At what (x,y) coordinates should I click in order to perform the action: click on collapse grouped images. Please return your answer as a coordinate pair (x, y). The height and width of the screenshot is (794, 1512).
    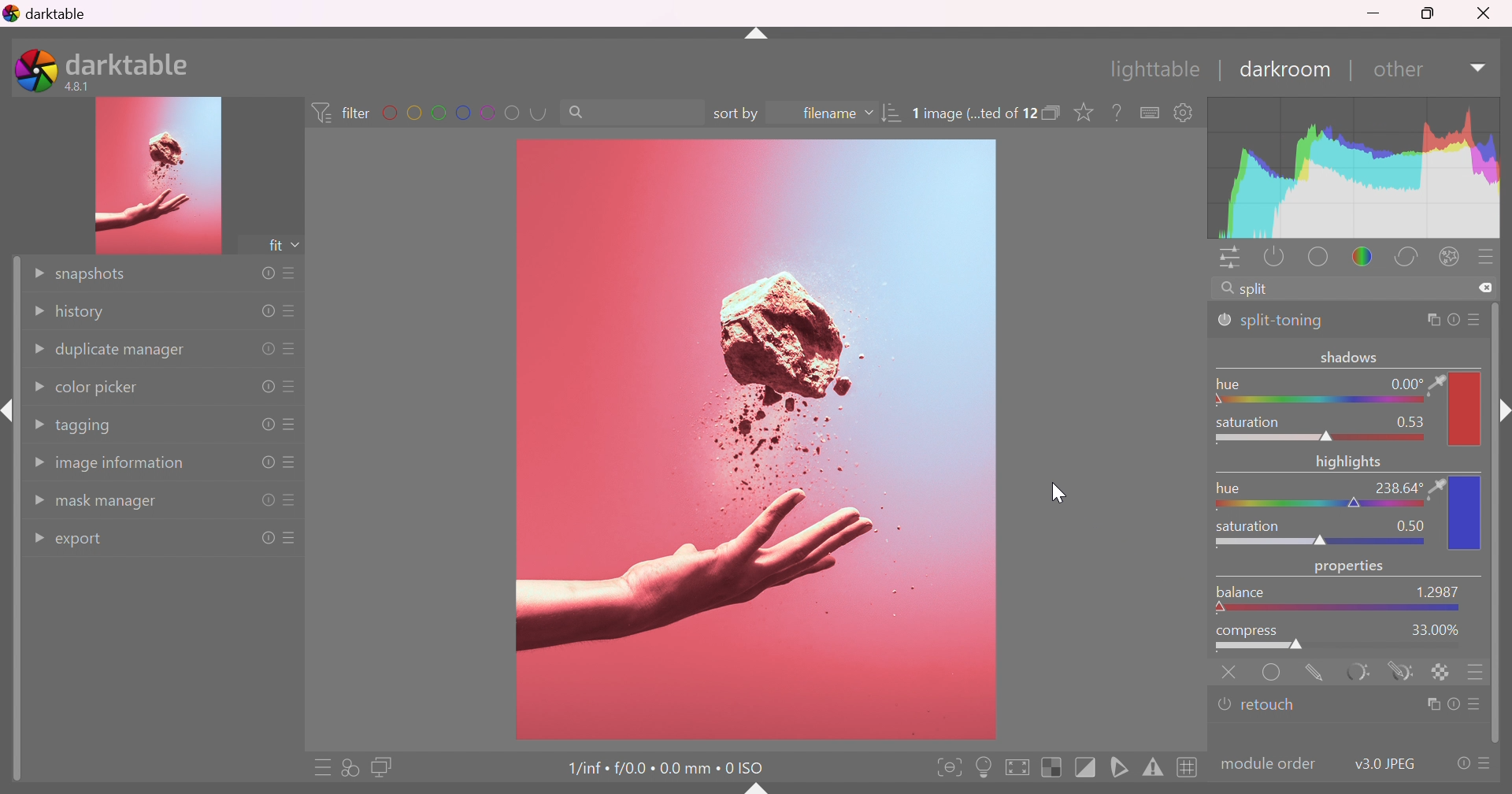
    Looking at the image, I should click on (1053, 110).